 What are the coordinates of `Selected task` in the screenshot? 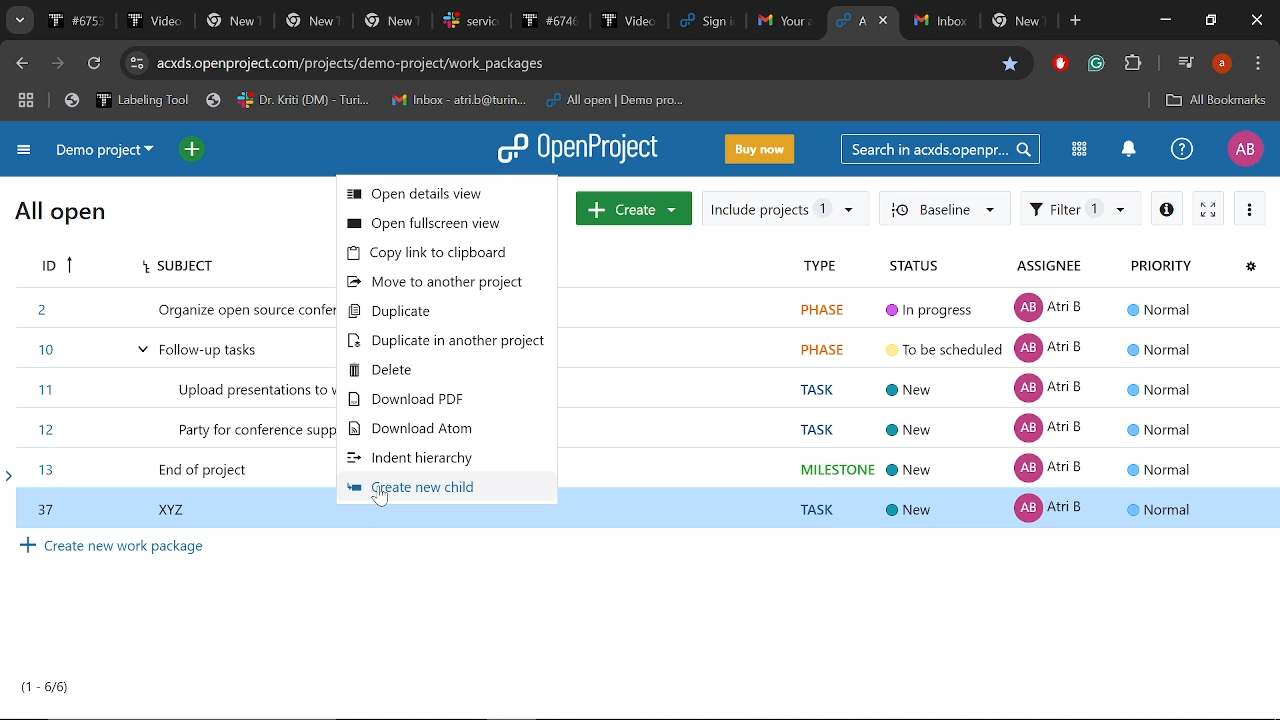 It's located at (641, 514).